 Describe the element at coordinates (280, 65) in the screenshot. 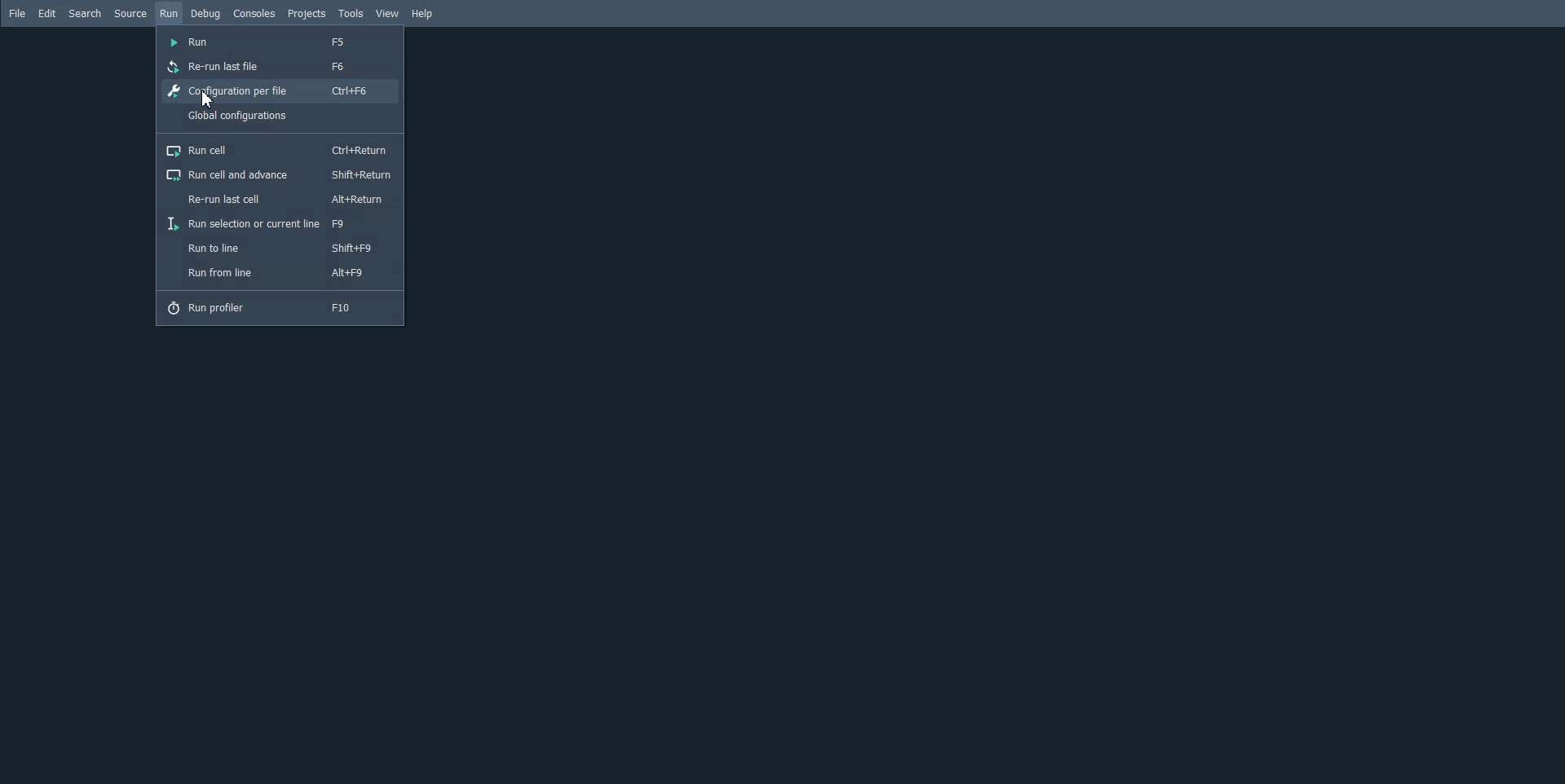

I see `Re-run last file` at that location.